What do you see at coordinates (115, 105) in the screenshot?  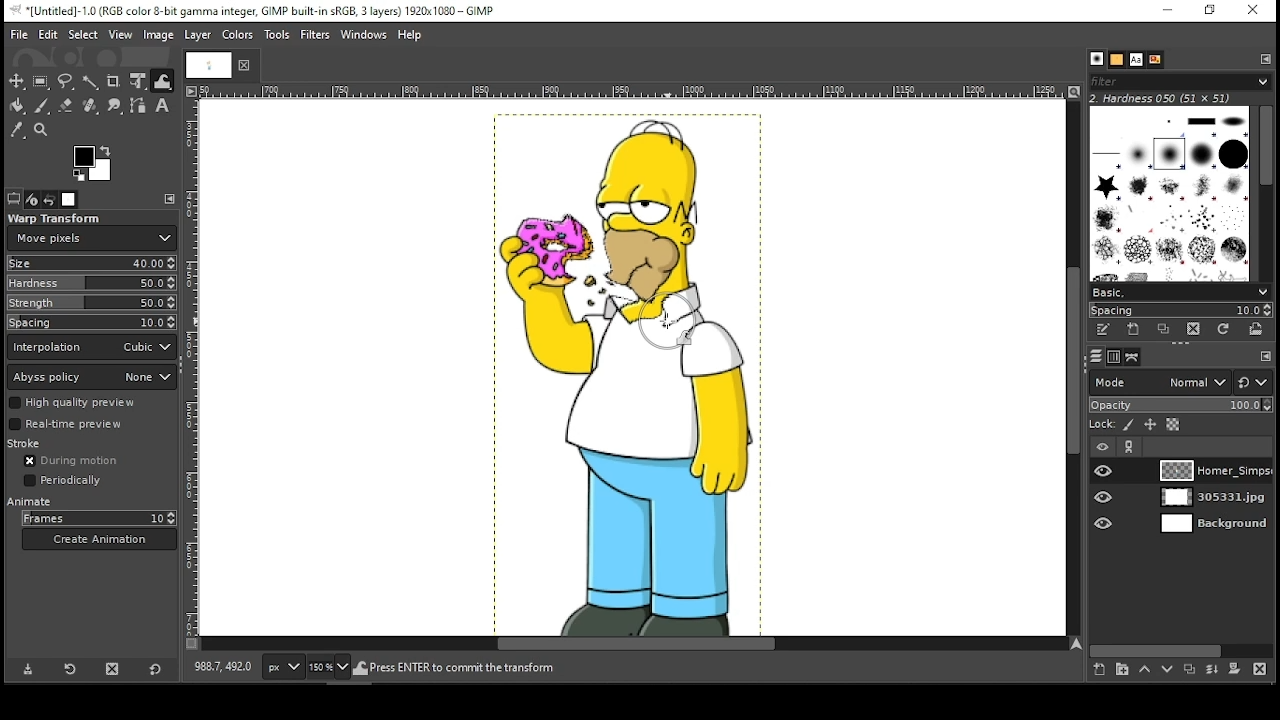 I see `smudge tool` at bounding box center [115, 105].